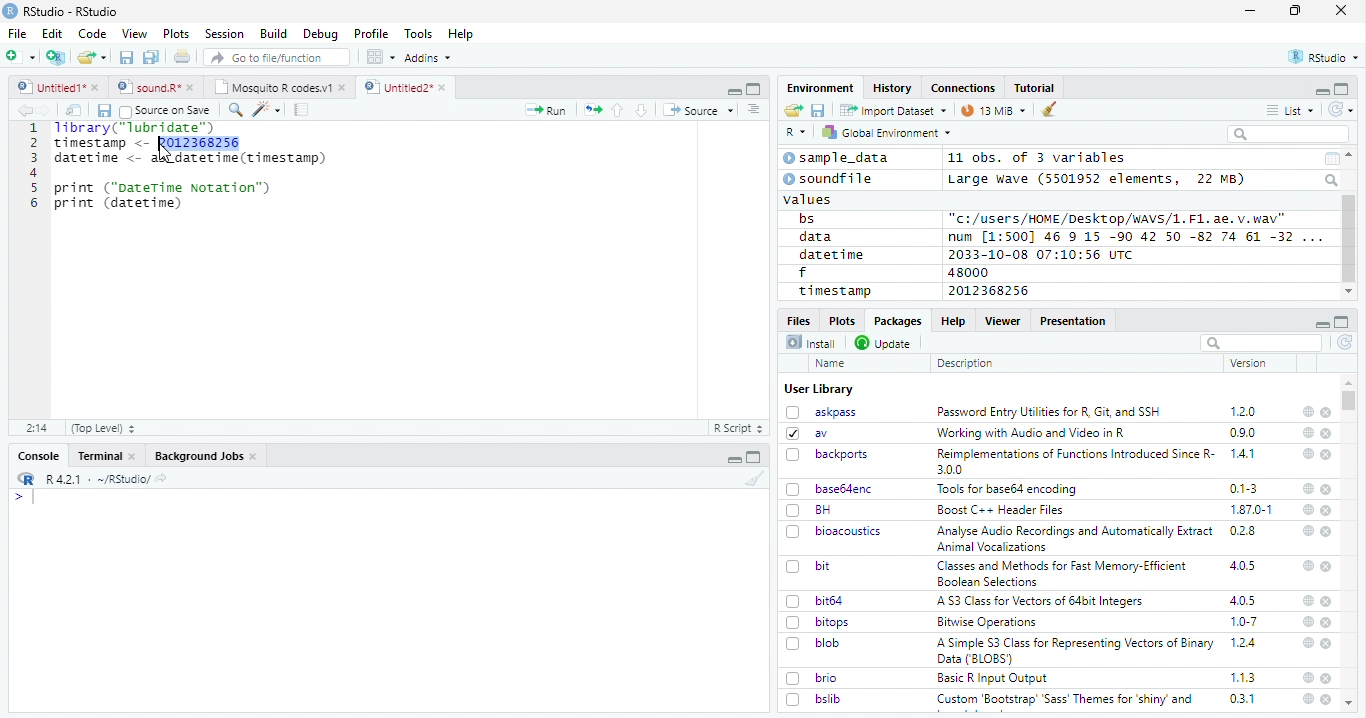  What do you see at coordinates (888, 131) in the screenshot?
I see `Global Environment` at bounding box center [888, 131].